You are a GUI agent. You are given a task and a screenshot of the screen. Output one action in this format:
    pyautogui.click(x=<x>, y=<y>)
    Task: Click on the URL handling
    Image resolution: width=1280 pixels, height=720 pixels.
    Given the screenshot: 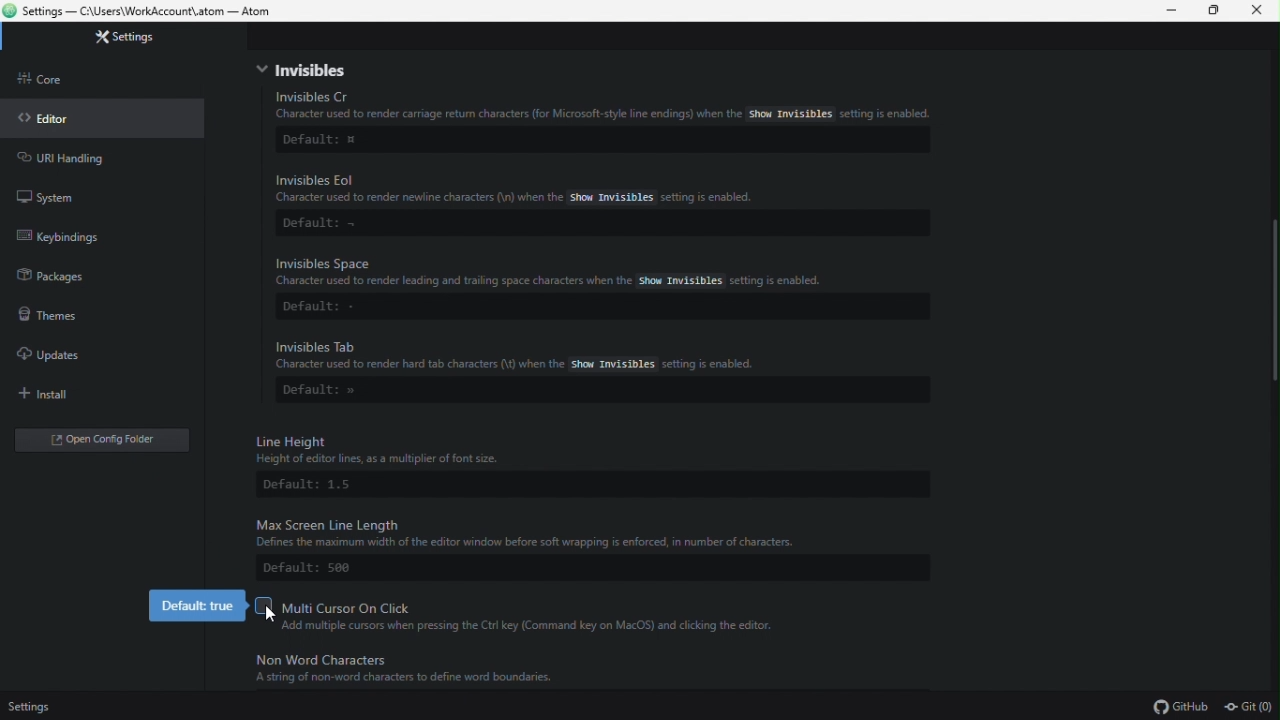 What is the action you would take?
    pyautogui.click(x=79, y=160)
    